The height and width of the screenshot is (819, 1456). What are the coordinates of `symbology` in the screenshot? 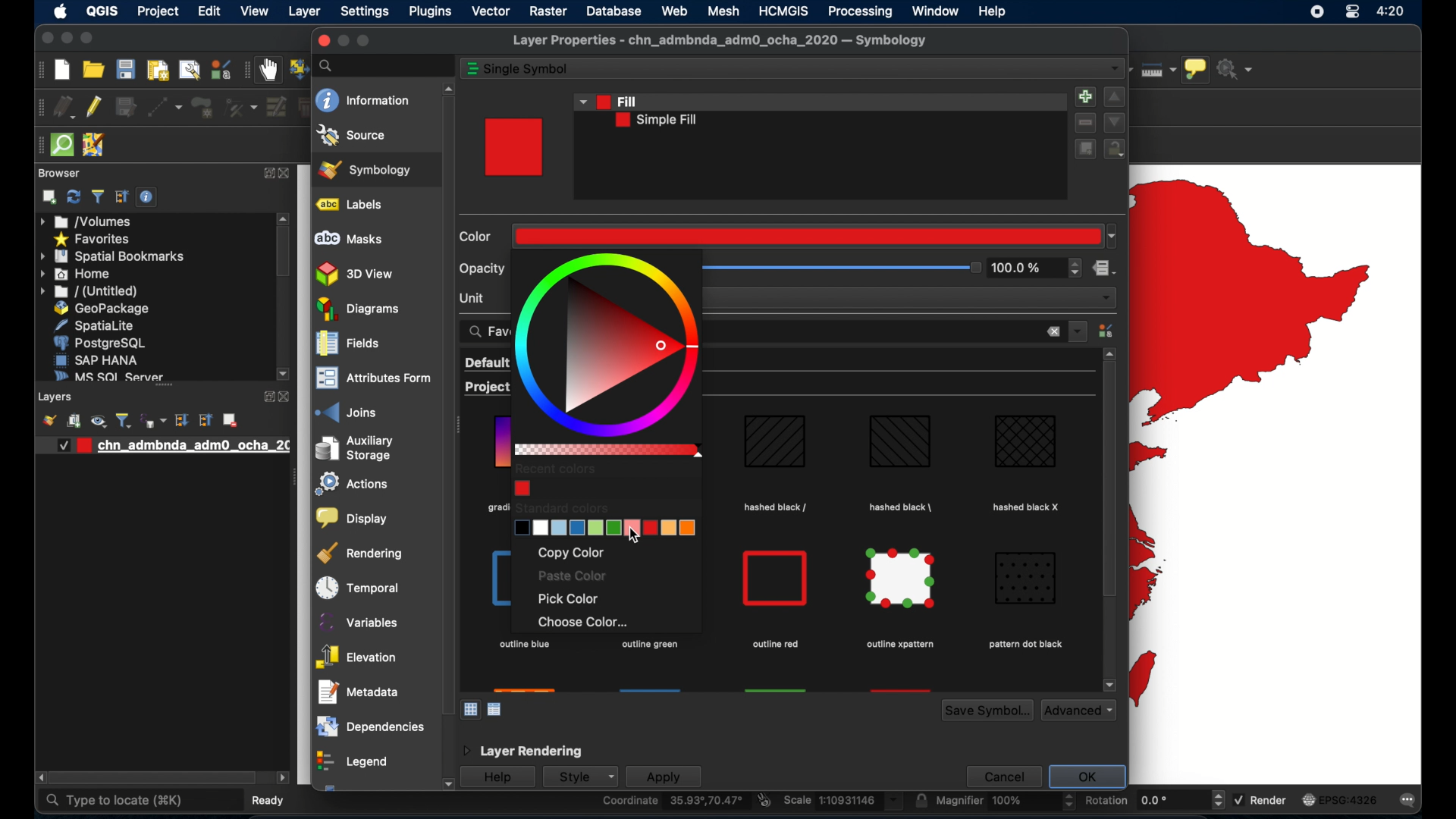 It's located at (365, 169).